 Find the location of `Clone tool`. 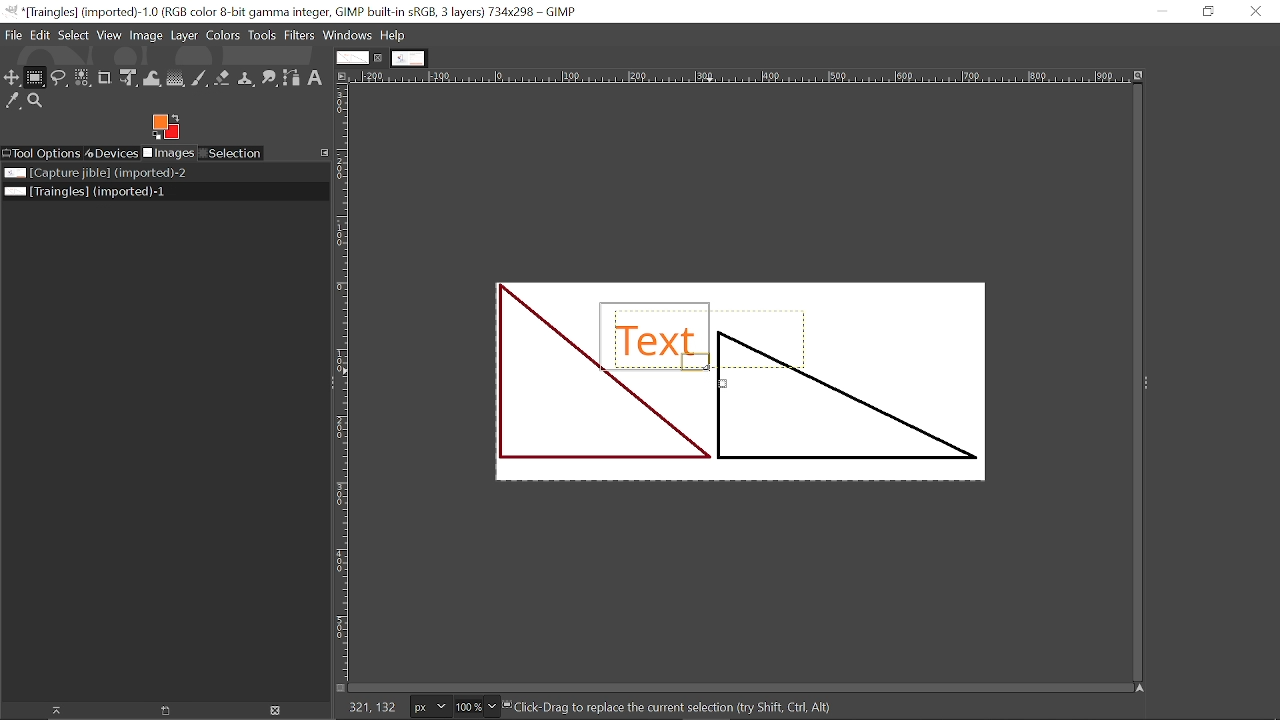

Clone tool is located at coordinates (247, 79).